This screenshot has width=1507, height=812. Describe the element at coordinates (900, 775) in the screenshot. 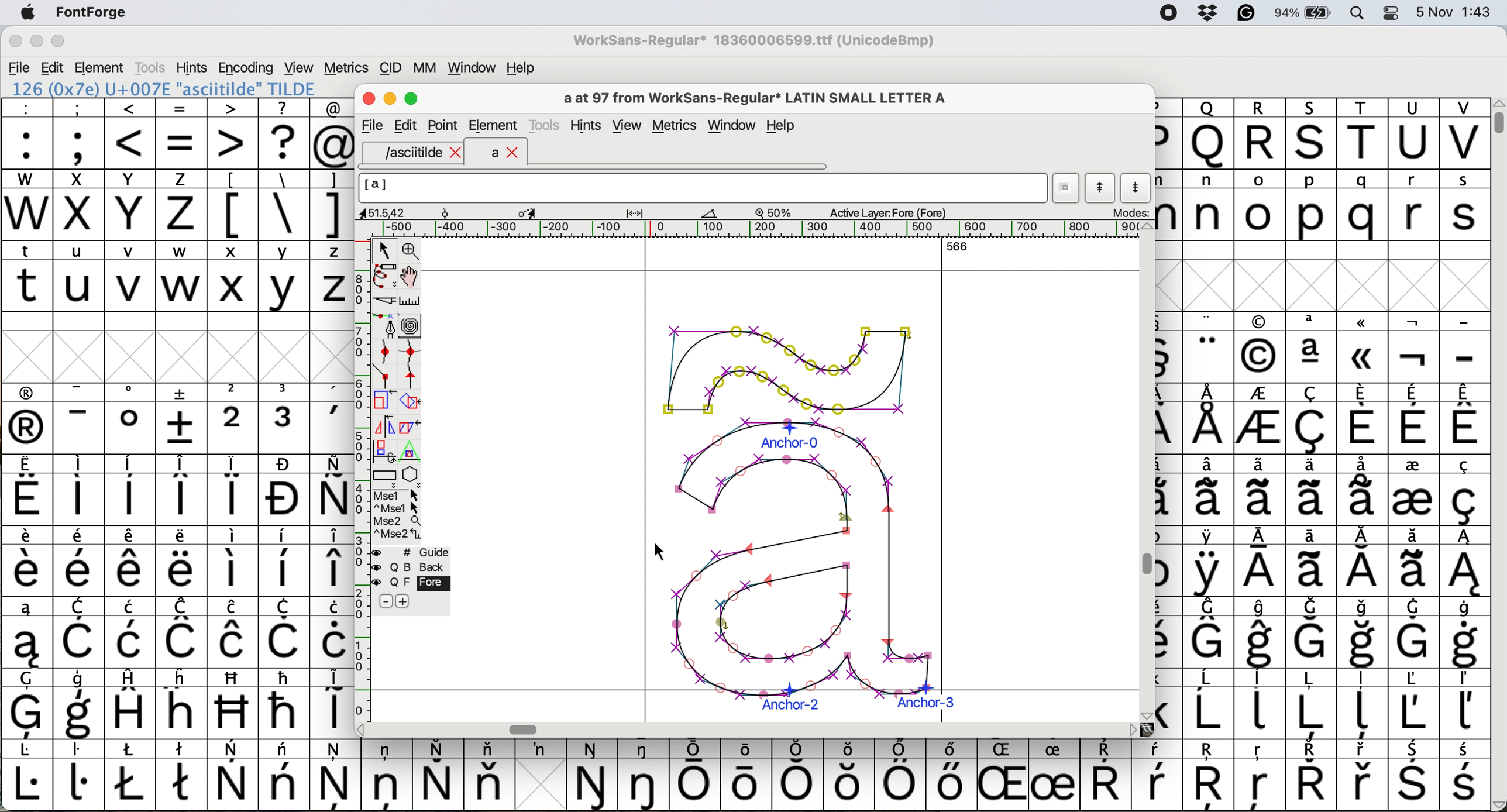

I see `symbol` at that location.